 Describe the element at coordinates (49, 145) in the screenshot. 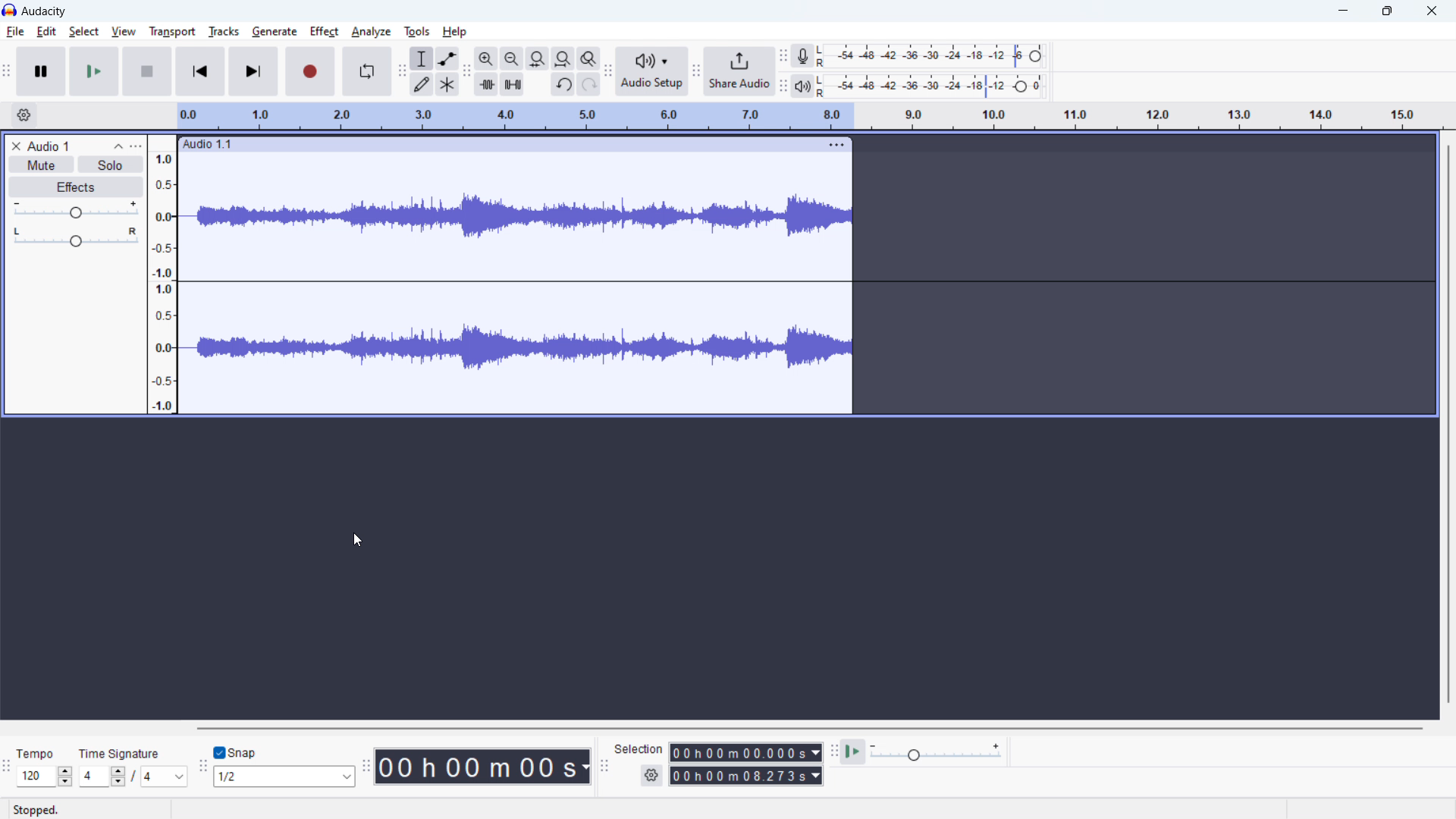

I see `track title` at that location.